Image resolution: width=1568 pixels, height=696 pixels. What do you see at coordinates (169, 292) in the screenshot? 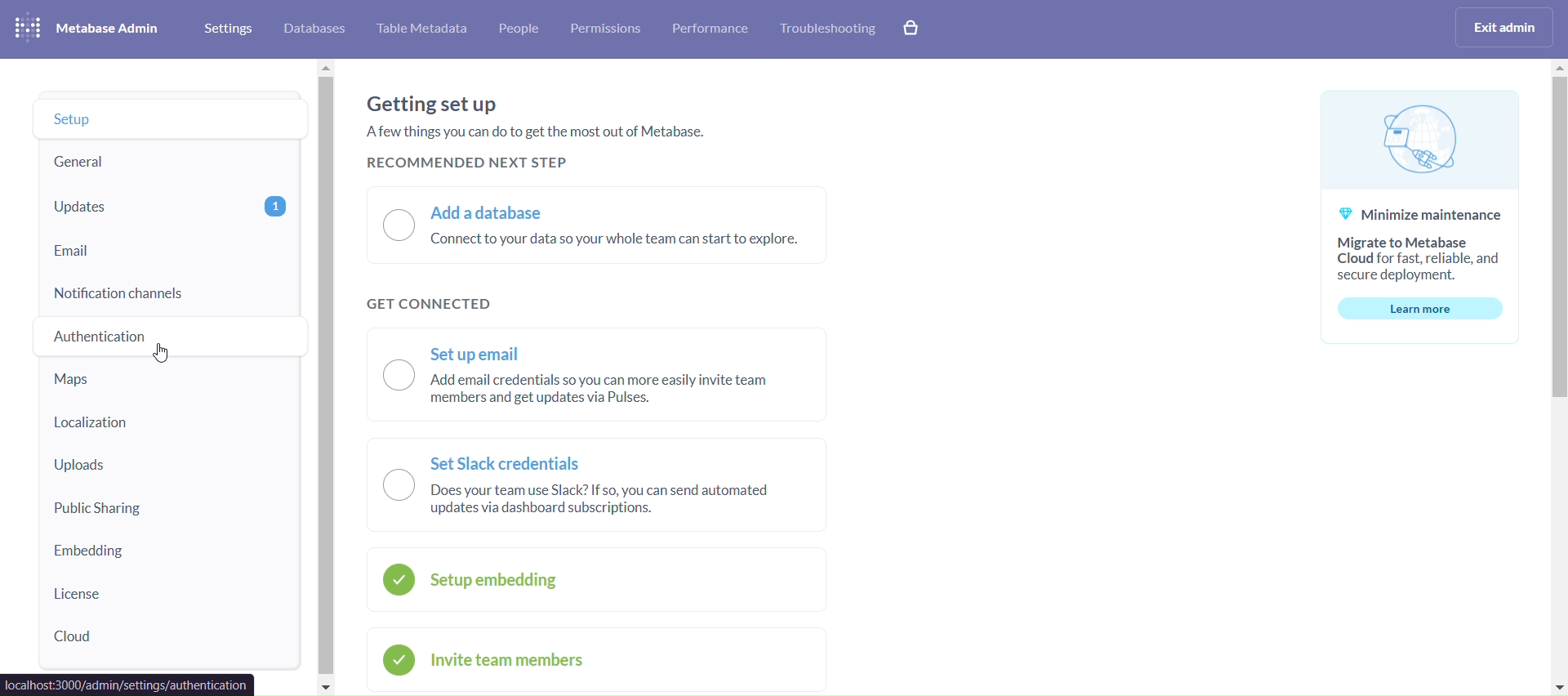
I see `notification channels` at bounding box center [169, 292].